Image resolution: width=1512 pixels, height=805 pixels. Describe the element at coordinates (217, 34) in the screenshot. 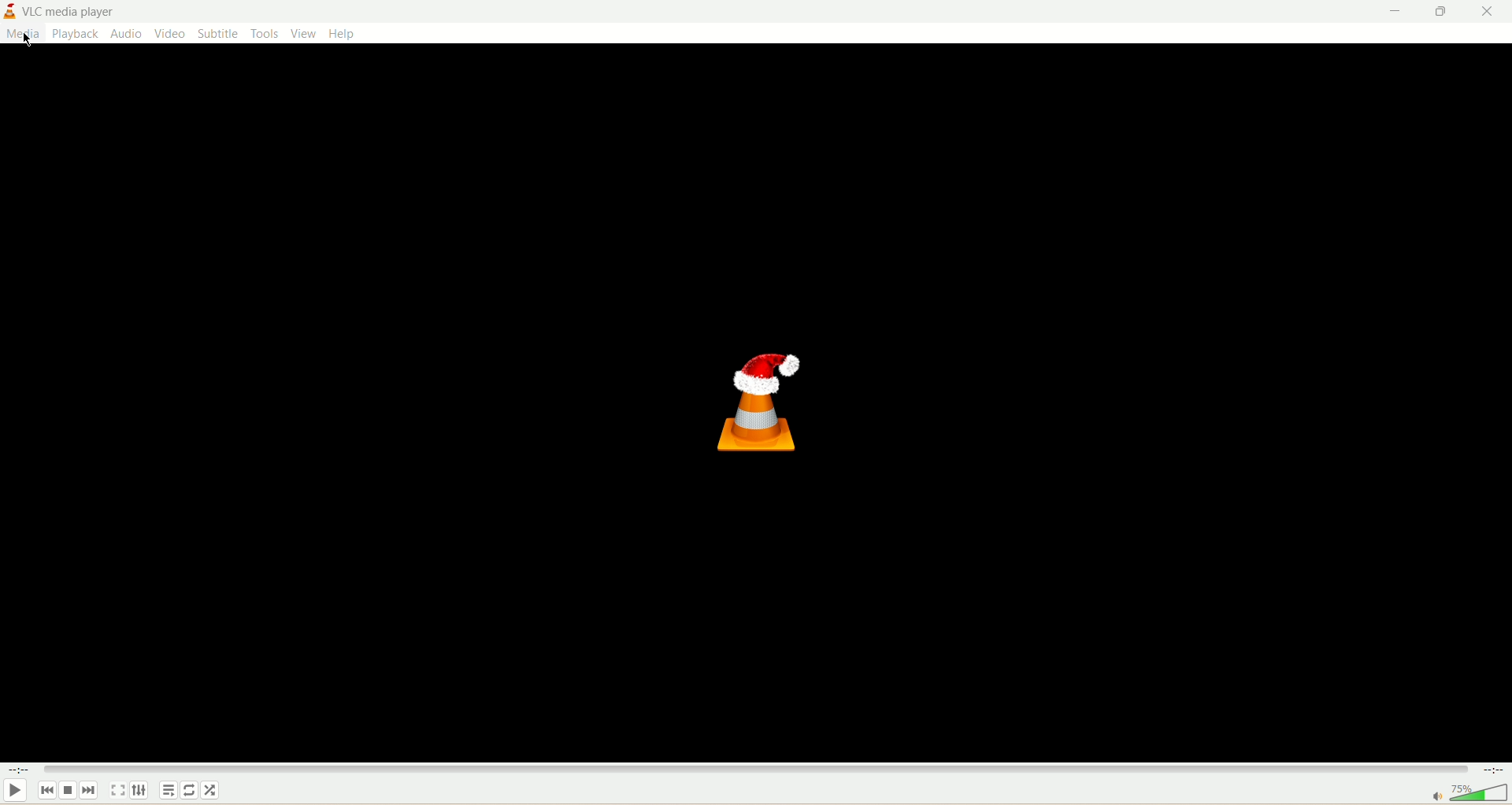

I see `subtitle` at that location.